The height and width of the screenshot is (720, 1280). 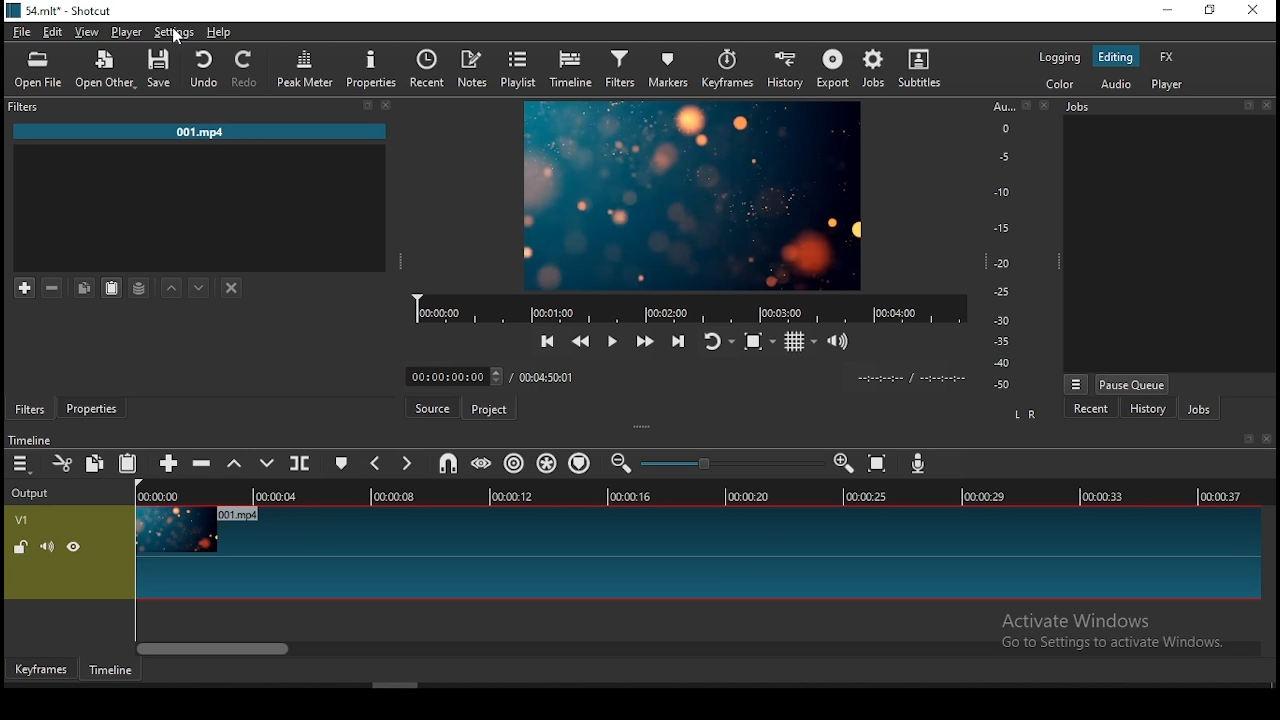 What do you see at coordinates (29, 440) in the screenshot?
I see `timeline` at bounding box center [29, 440].